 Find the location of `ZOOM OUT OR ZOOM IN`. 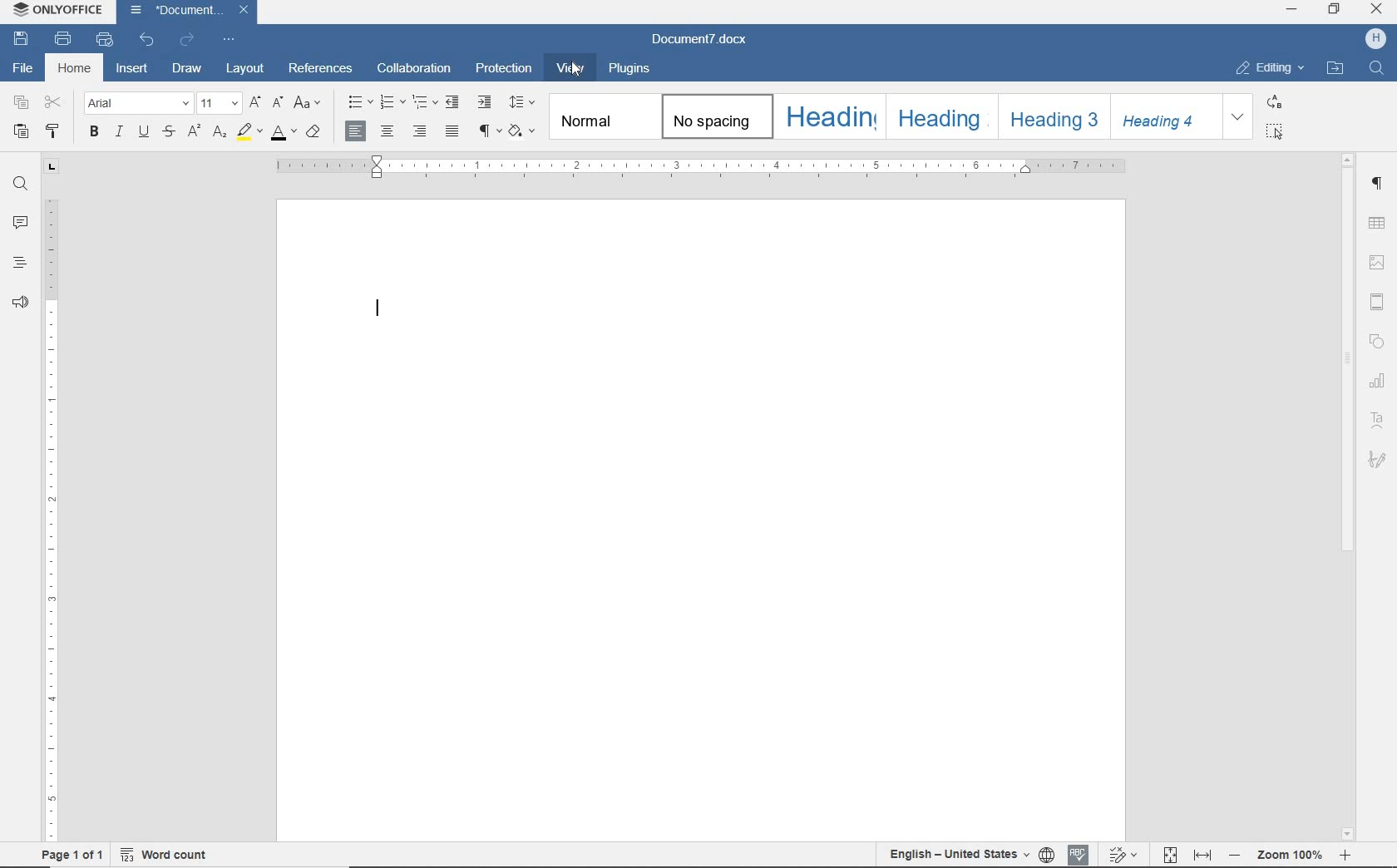

ZOOM OUT OR ZOOM IN is located at coordinates (1294, 856).